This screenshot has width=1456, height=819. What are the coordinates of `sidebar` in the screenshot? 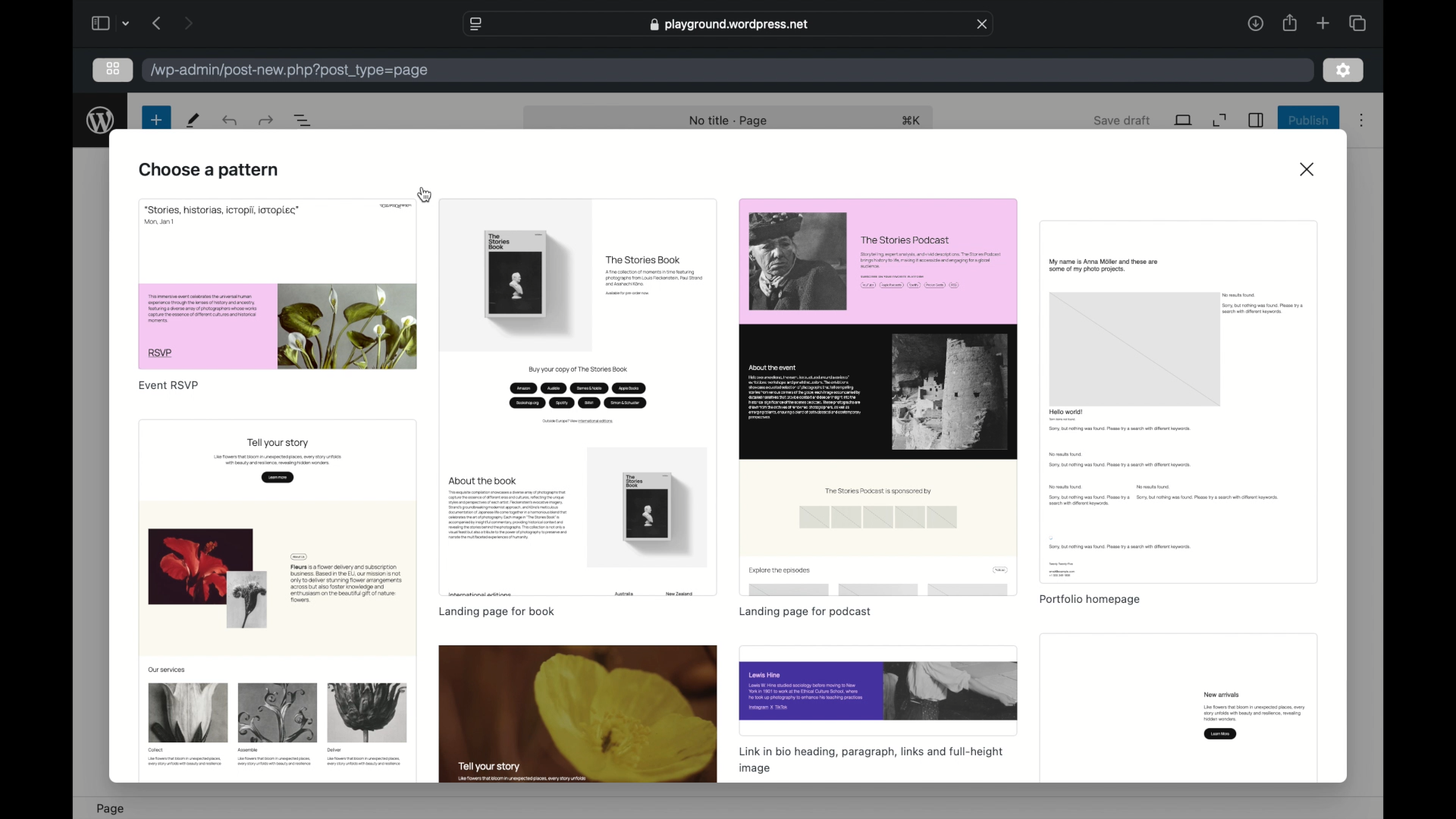 It's located at (99, 23).